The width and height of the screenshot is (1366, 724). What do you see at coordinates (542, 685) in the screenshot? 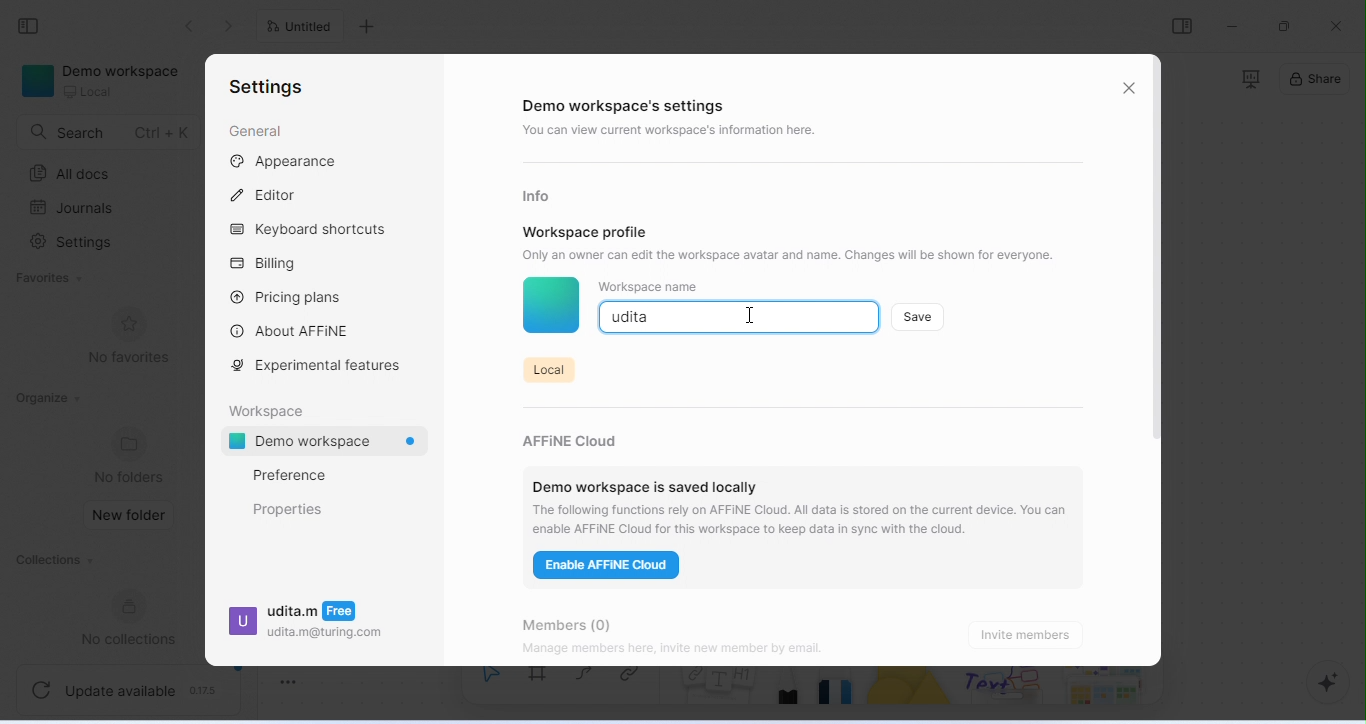
I see `frame` at bounding box center [542, 685].